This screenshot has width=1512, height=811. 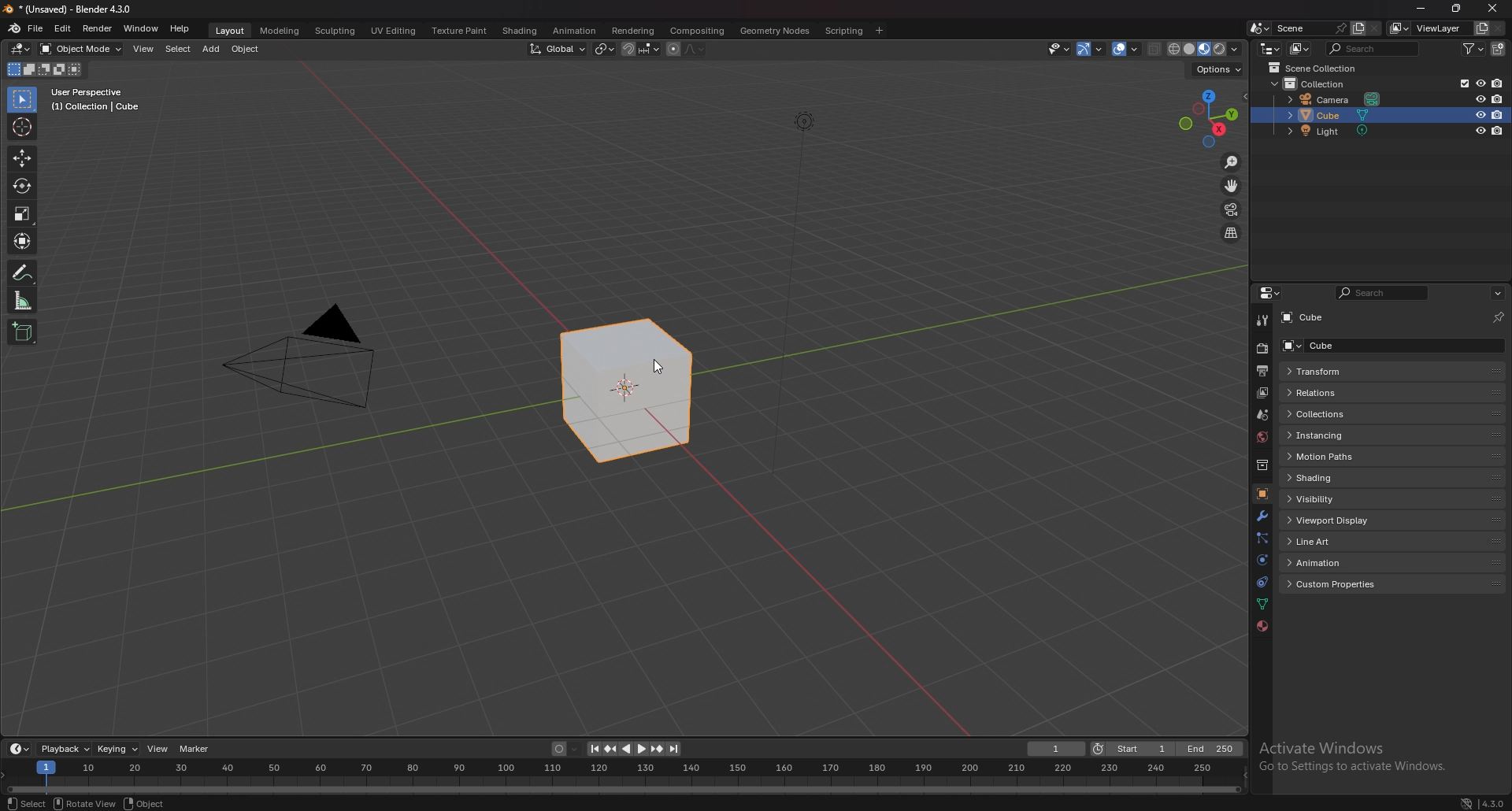 I want to click on options, so click(x=1219, y=70).